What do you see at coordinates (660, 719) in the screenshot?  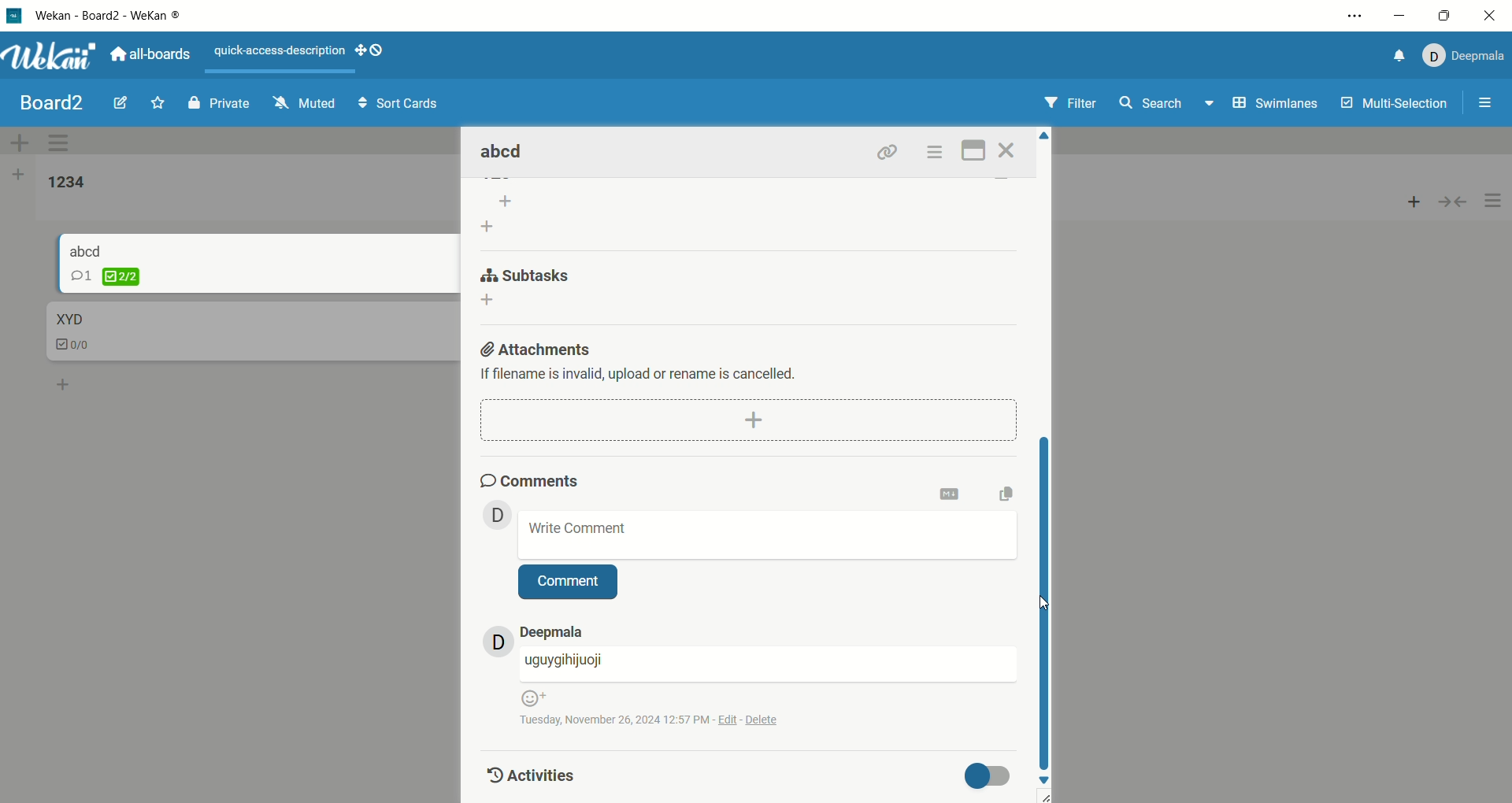 I see `time and date` at bounding box center [660, 719].